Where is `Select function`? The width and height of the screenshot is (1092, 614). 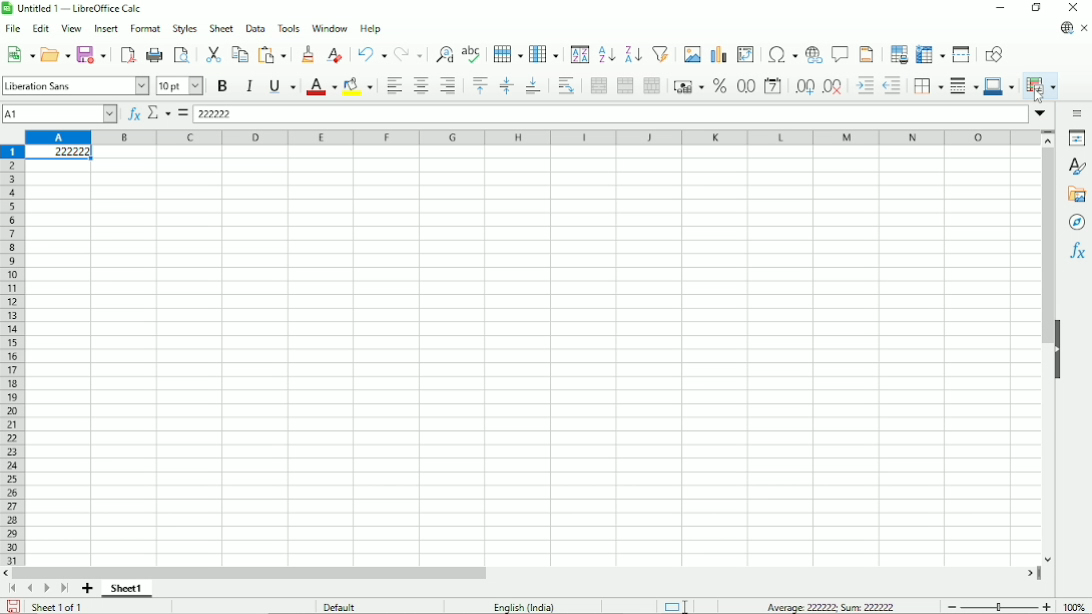 Select function is located at coordinates (159, 113).